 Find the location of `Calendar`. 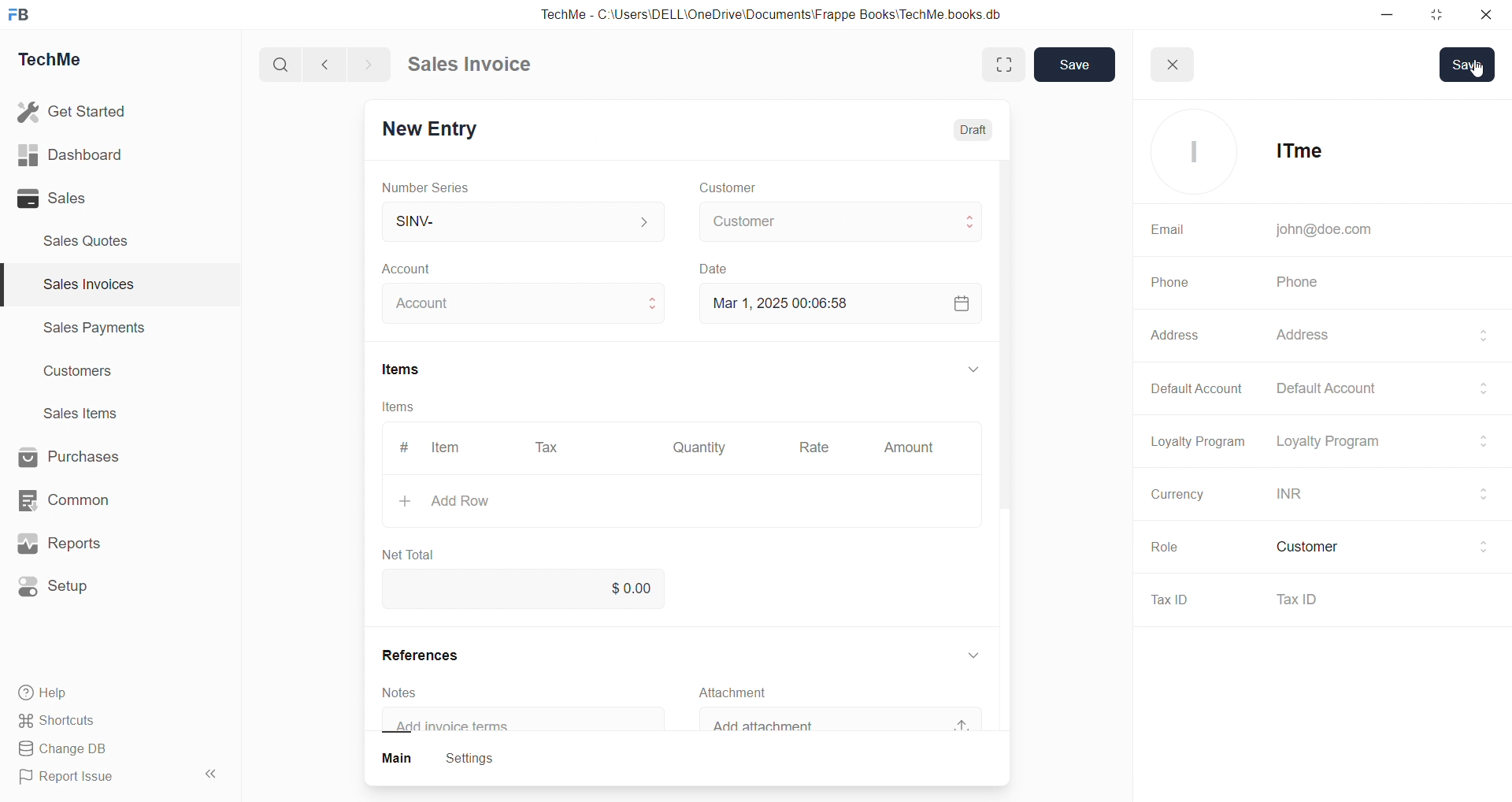

Calendar is located at coordinates (957, 306).